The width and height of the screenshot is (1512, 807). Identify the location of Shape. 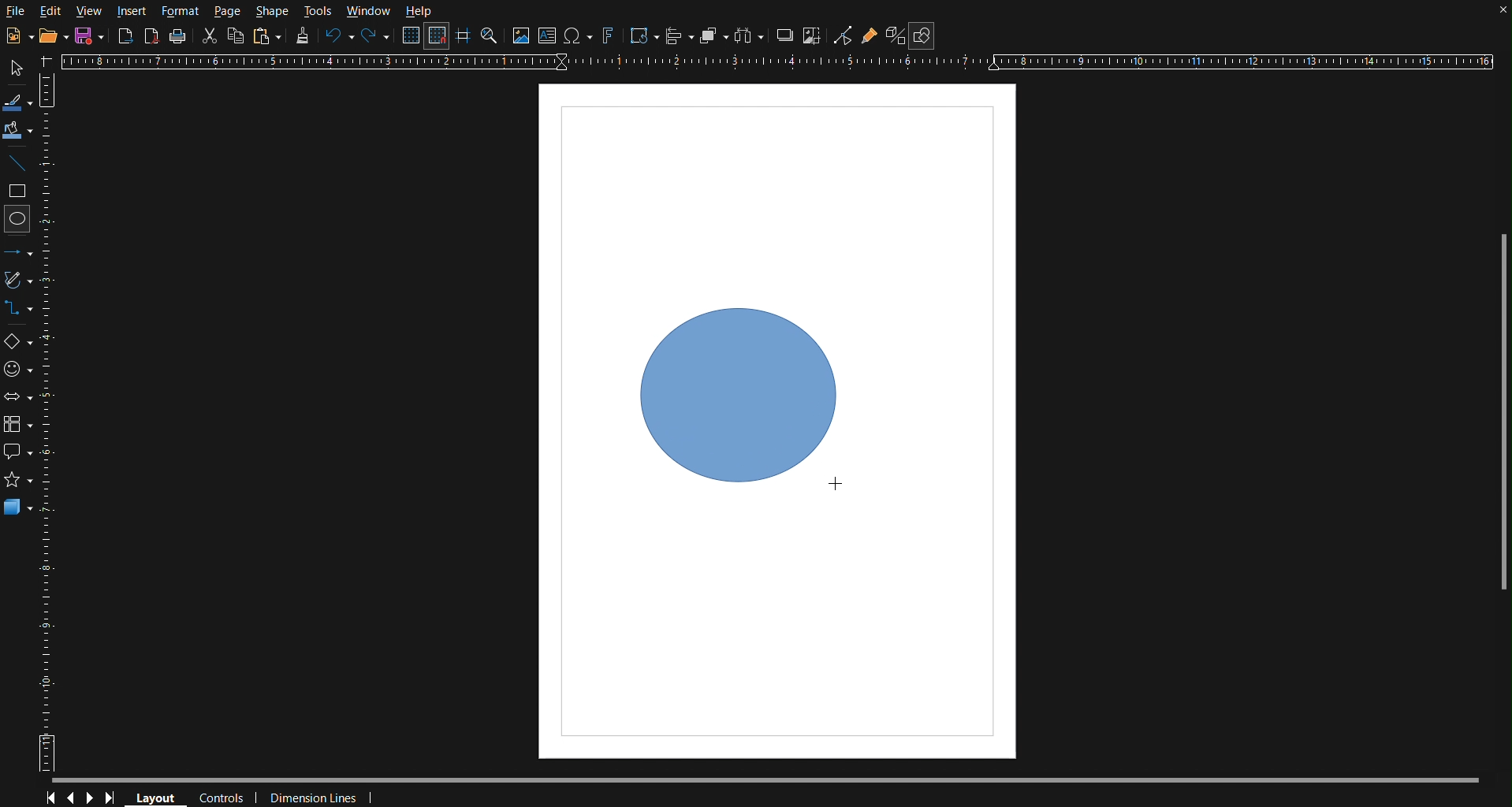
(272, 12).